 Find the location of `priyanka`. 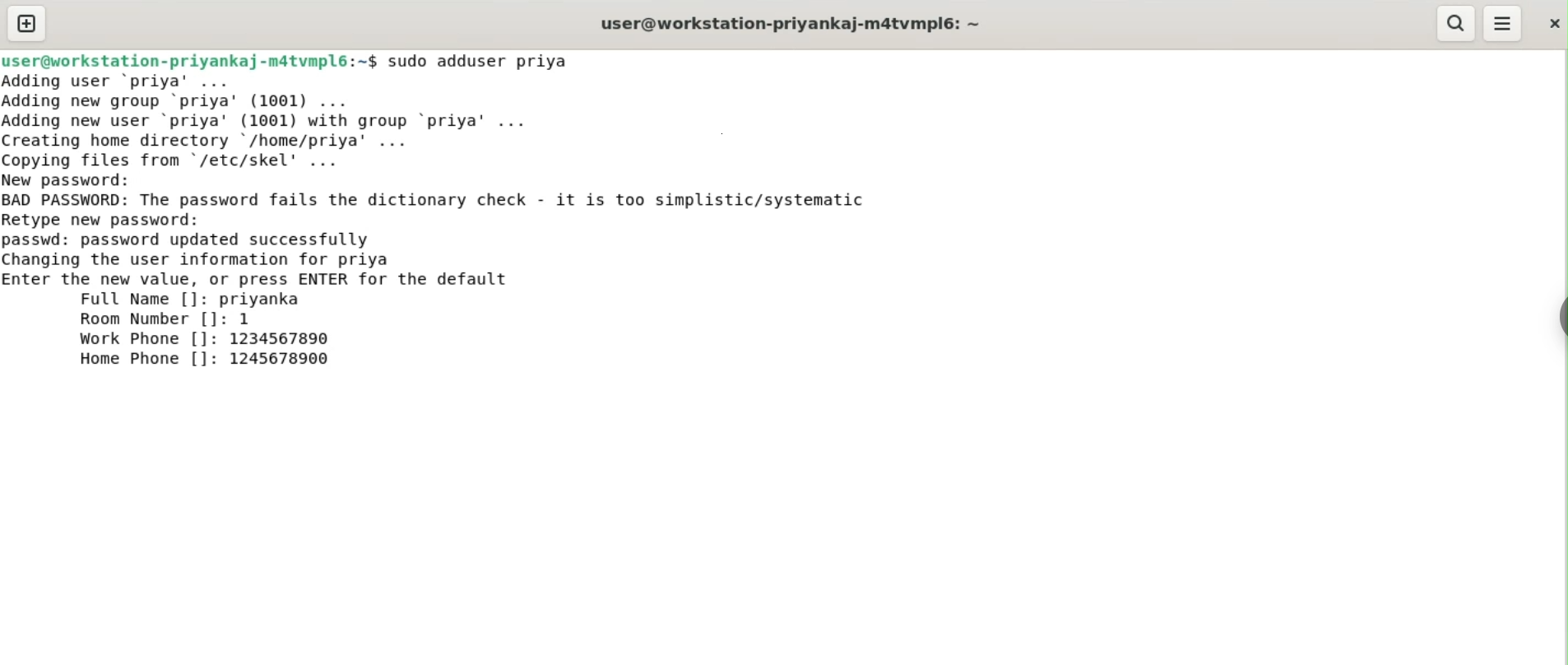

priyanka is located at coordinates (264, 299).